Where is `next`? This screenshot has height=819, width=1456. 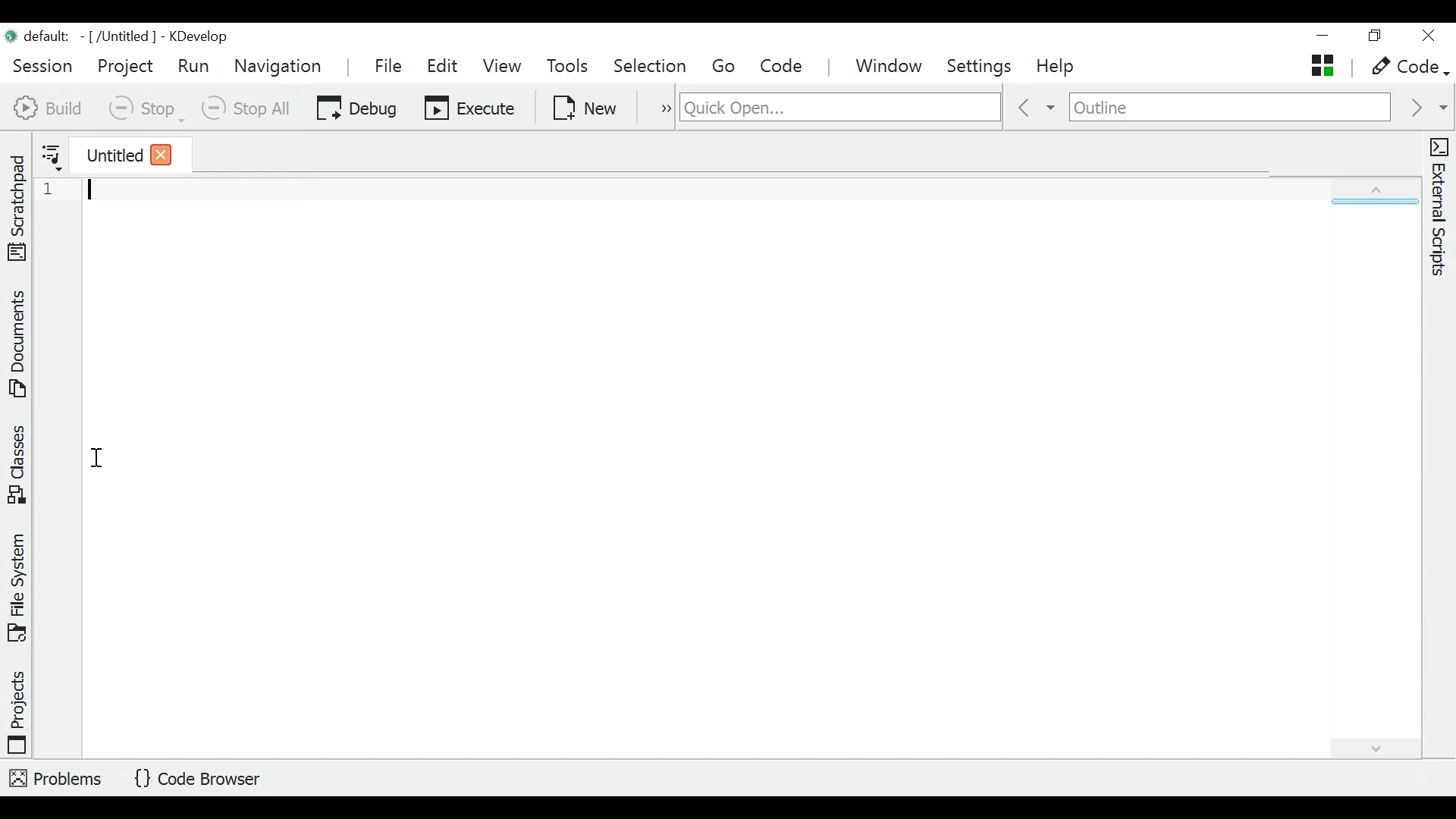 next is located at coordinates (1429, 108).